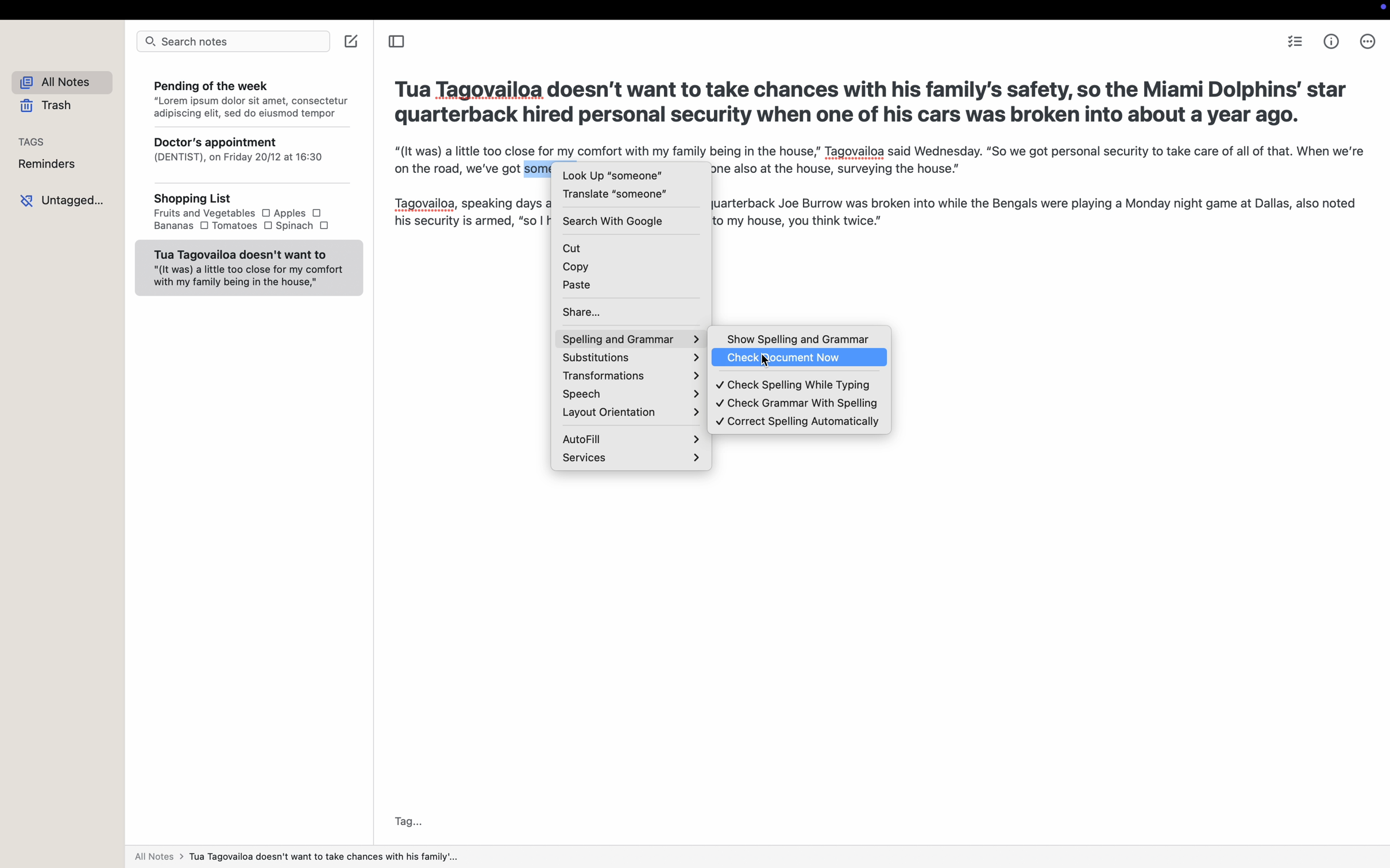 The height and width of the screenshot is (868, 1390). I want to click on tags, so click(33, 141).